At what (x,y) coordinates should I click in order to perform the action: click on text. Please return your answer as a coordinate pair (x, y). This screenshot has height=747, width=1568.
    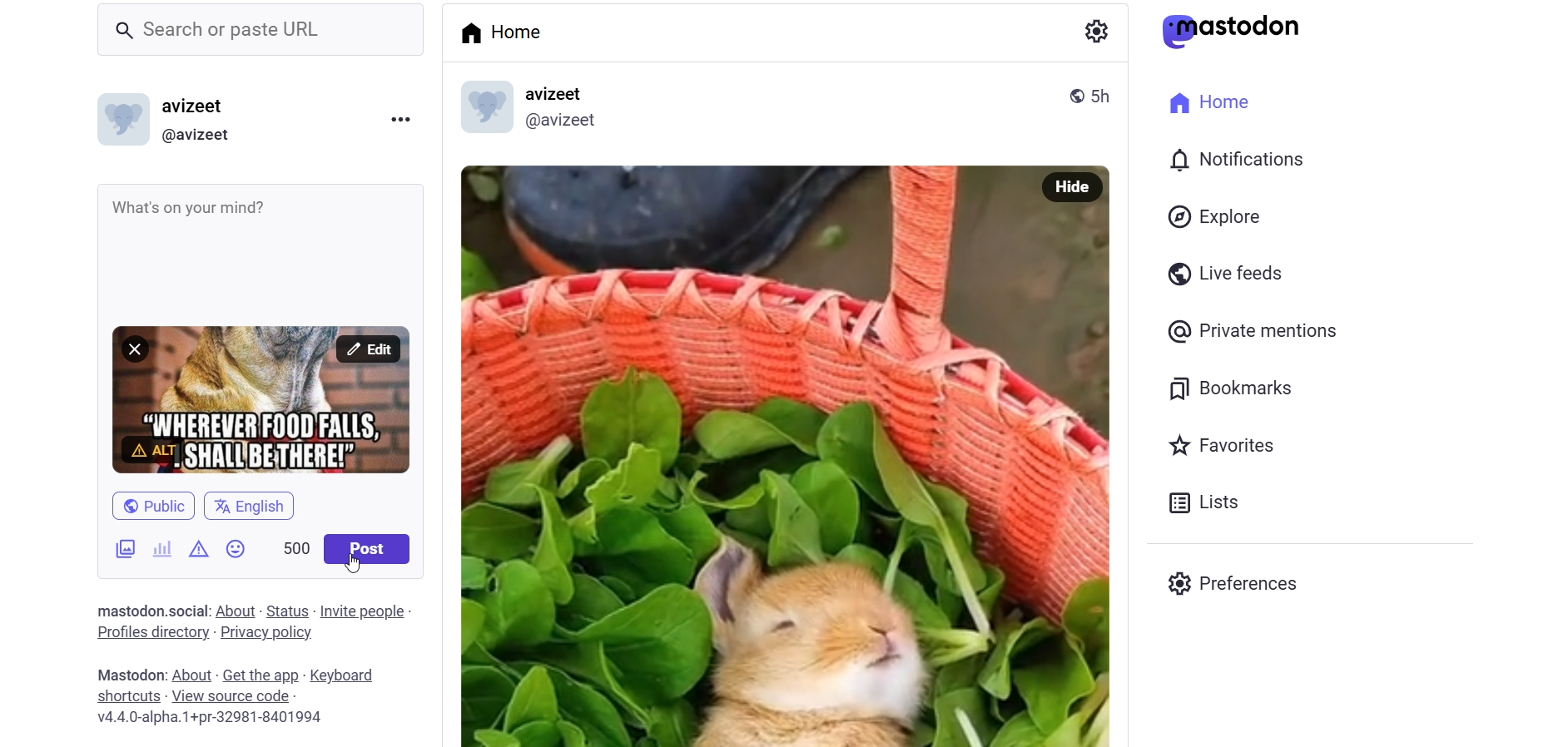
    Looking at the image, I should click on (127, 675).